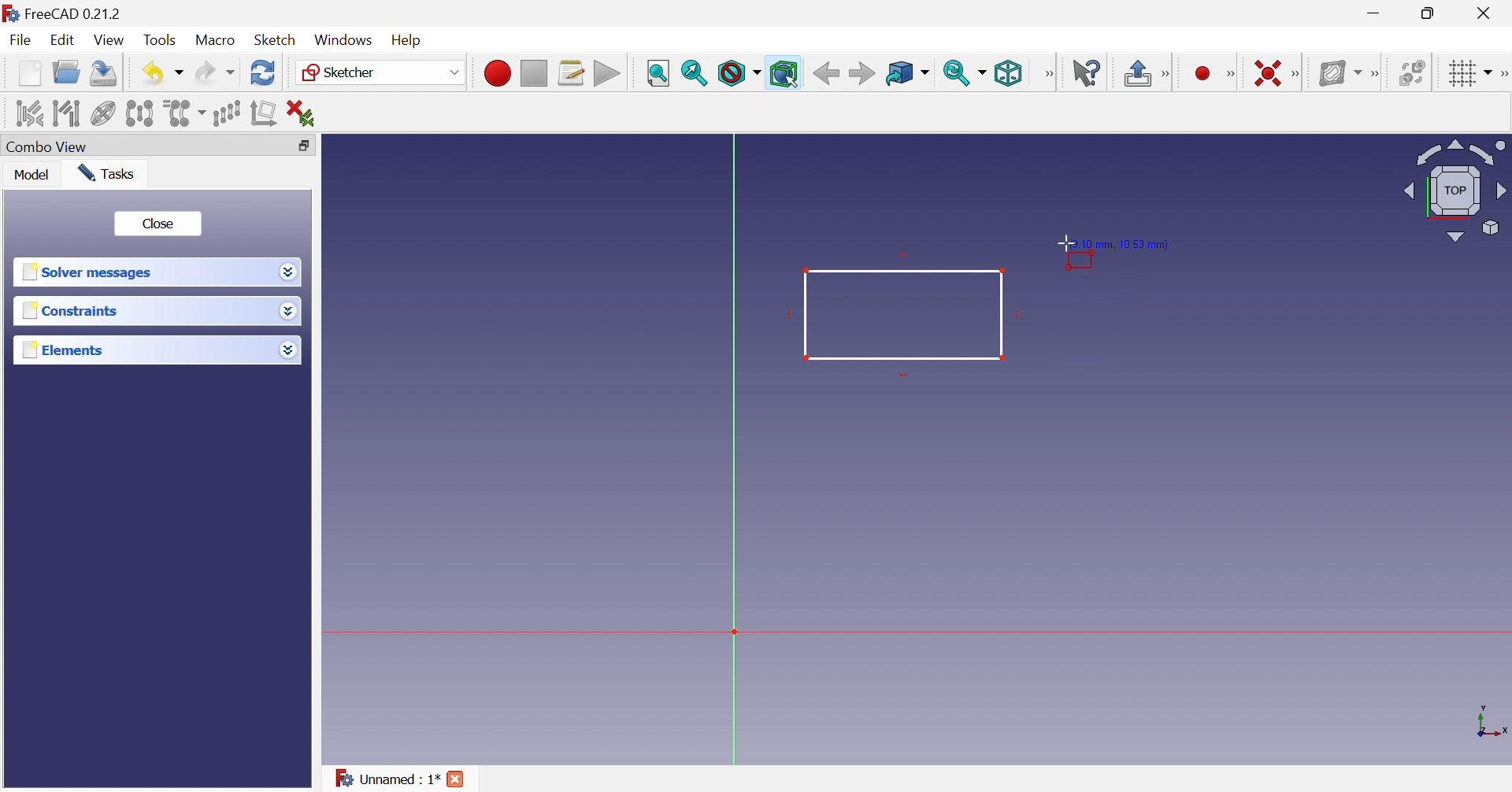 This screenshot has height=792, width=1512. What do you see at coordinates (1267, 72) in the screenshot?
I see `Constrain coincident` at bounding box center [1267, 72].